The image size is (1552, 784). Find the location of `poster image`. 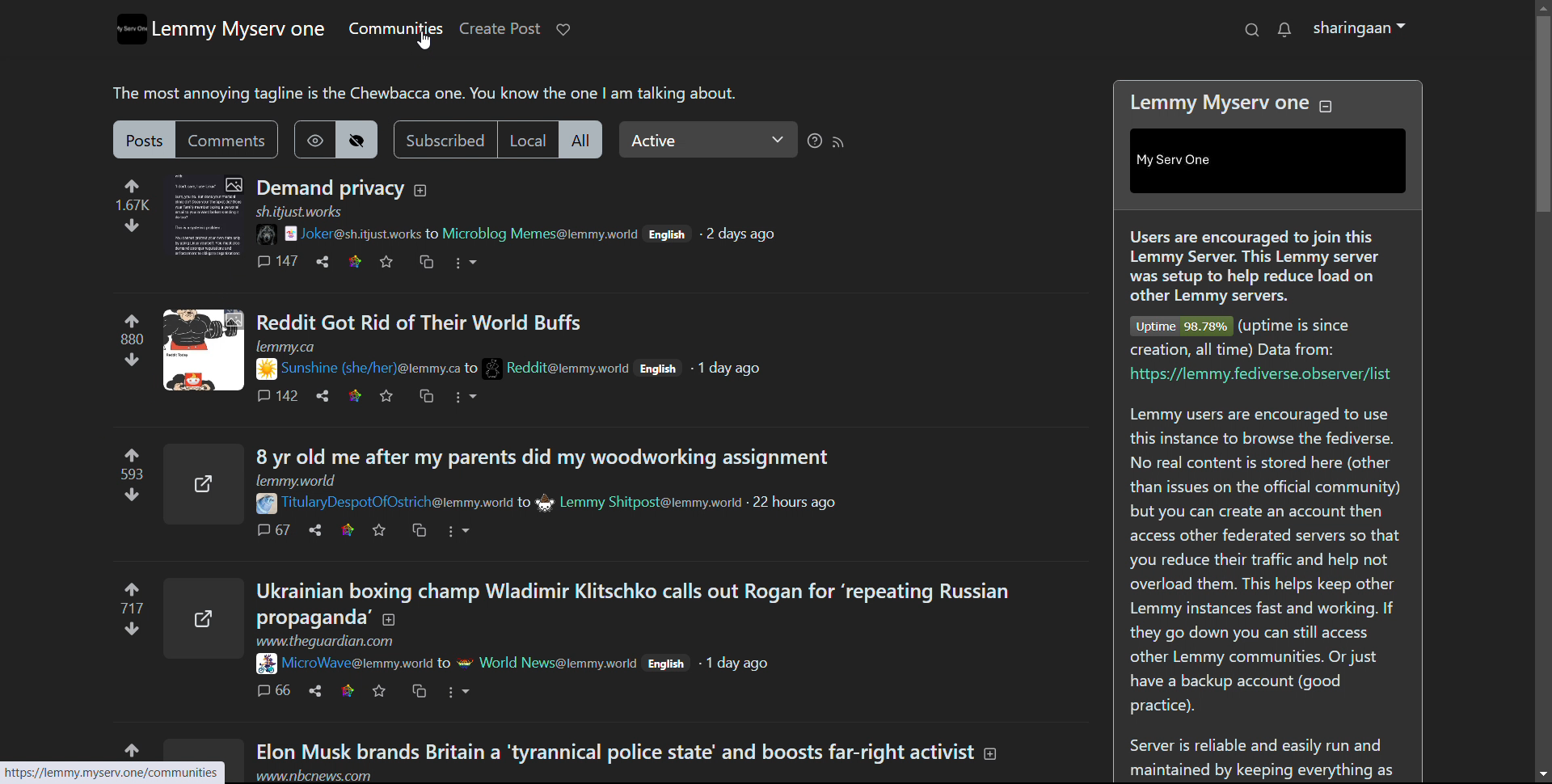

poster image is located at coordinates (276, 234).